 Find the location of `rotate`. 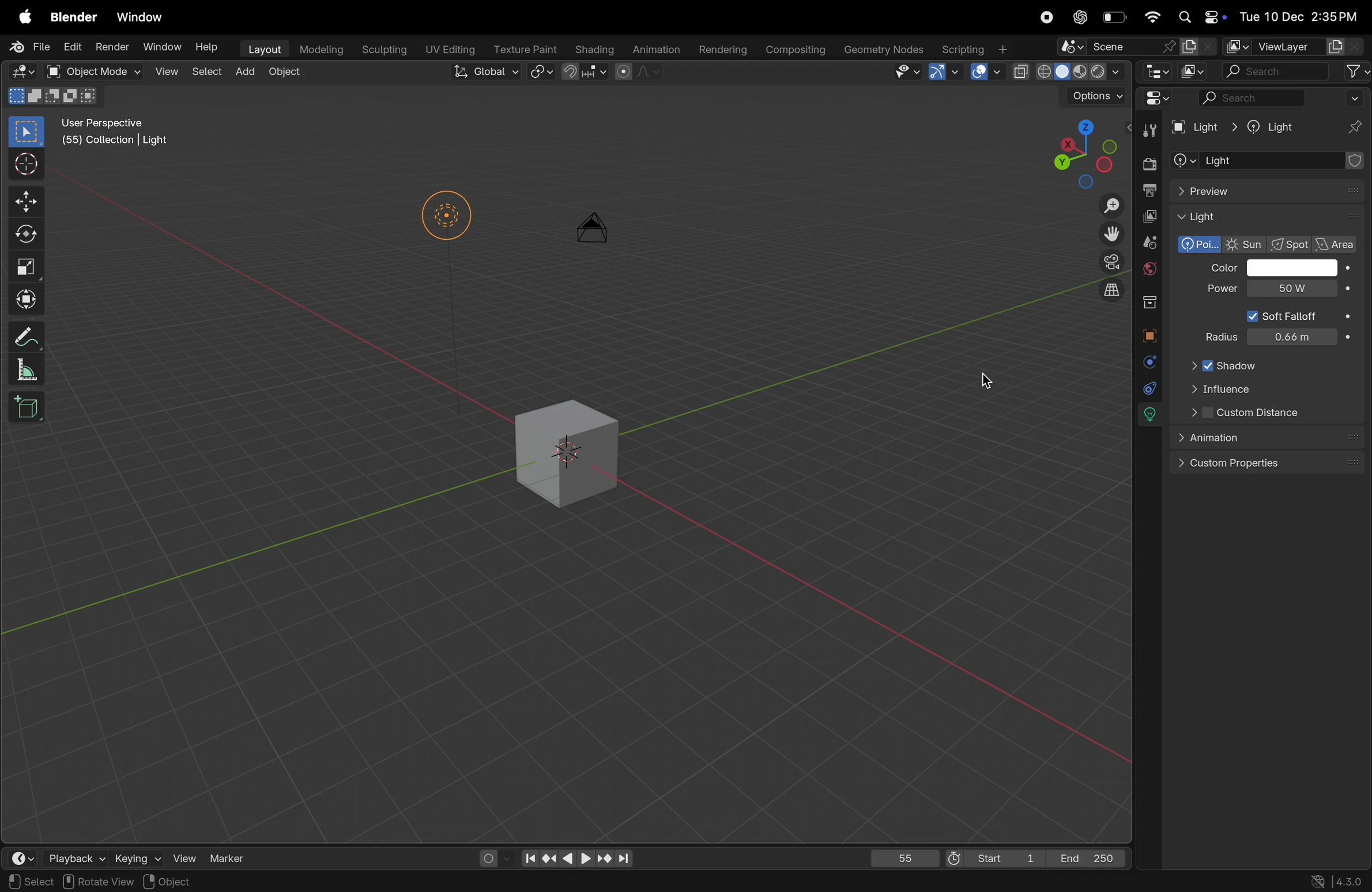

rotate is located at coordinates (26, 237).